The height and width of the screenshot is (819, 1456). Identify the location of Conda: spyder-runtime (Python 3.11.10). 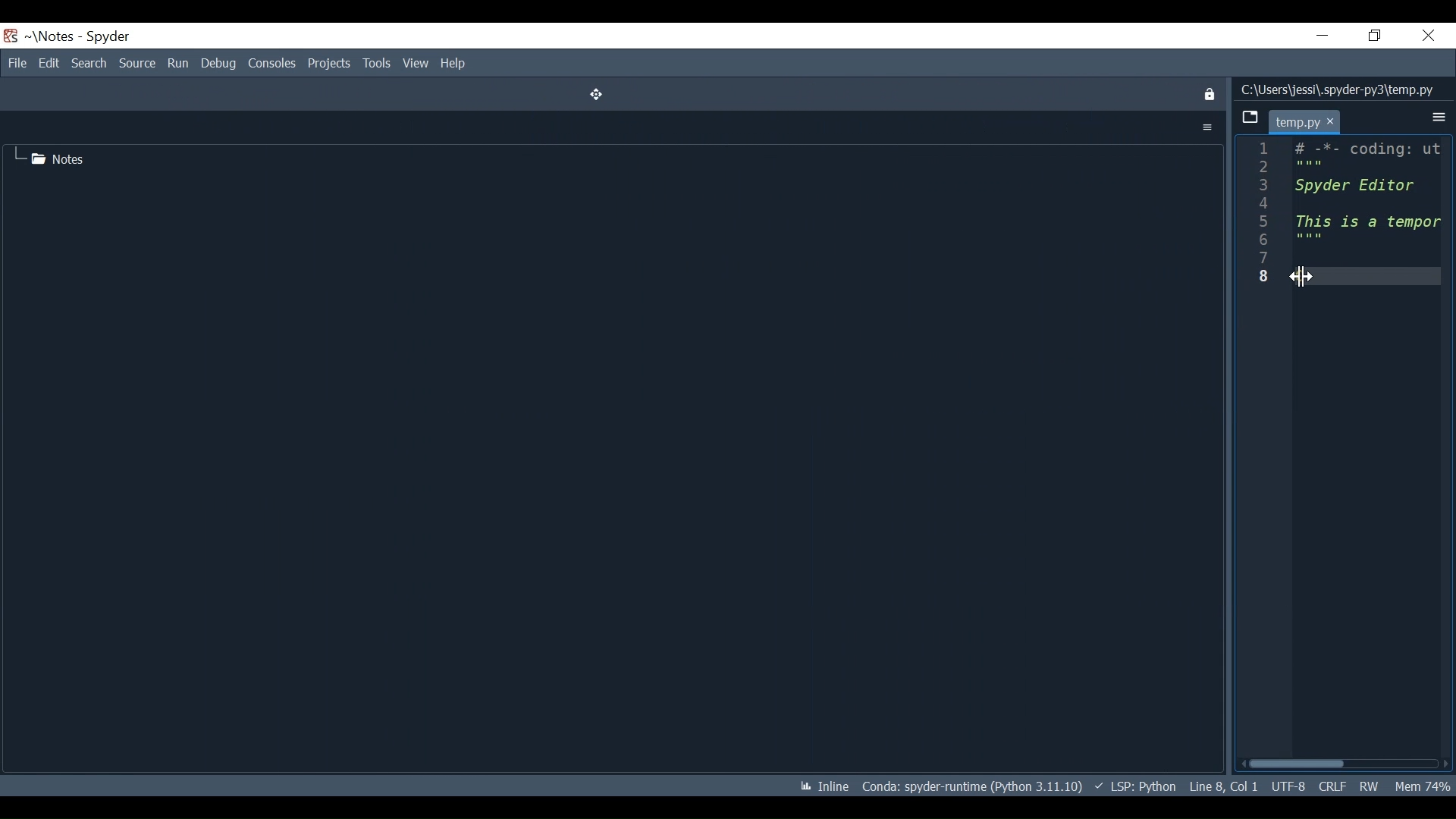
(972, 786).